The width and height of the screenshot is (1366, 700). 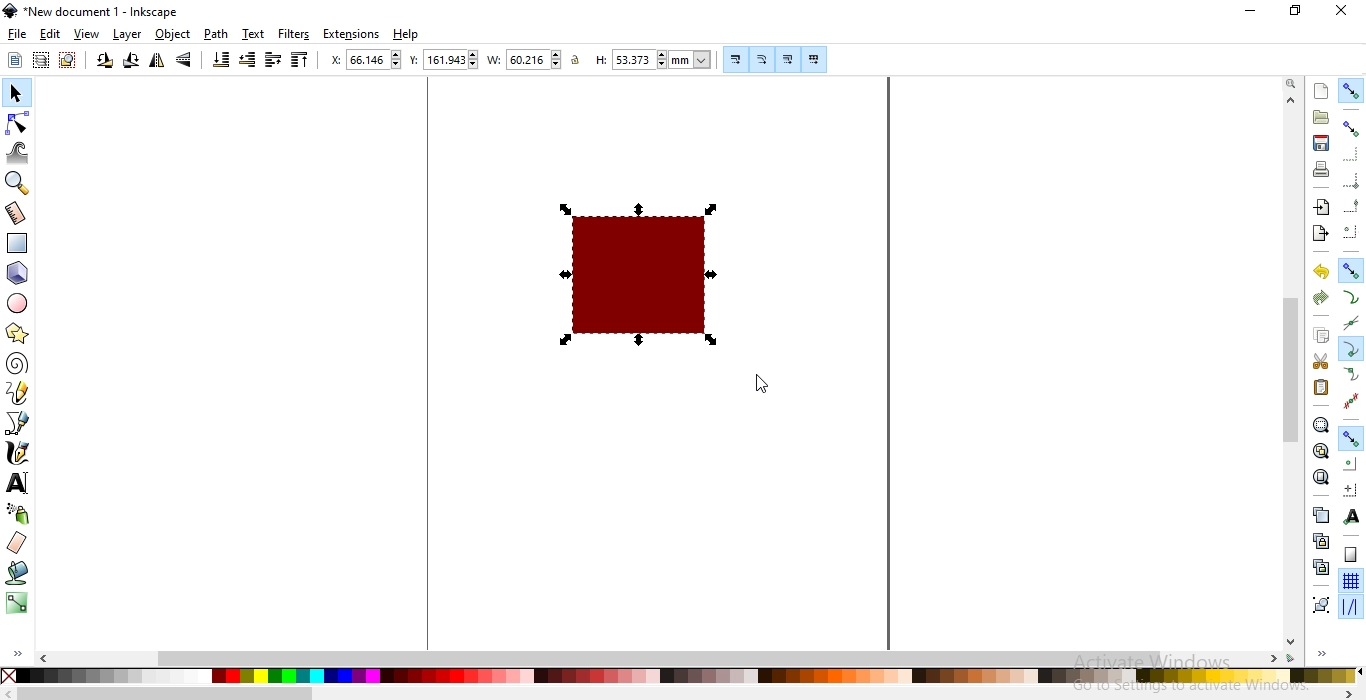 What do you see at coordinates (375, 59) in the screenshot?
I see `66.146` at bounding box center [375, 59].